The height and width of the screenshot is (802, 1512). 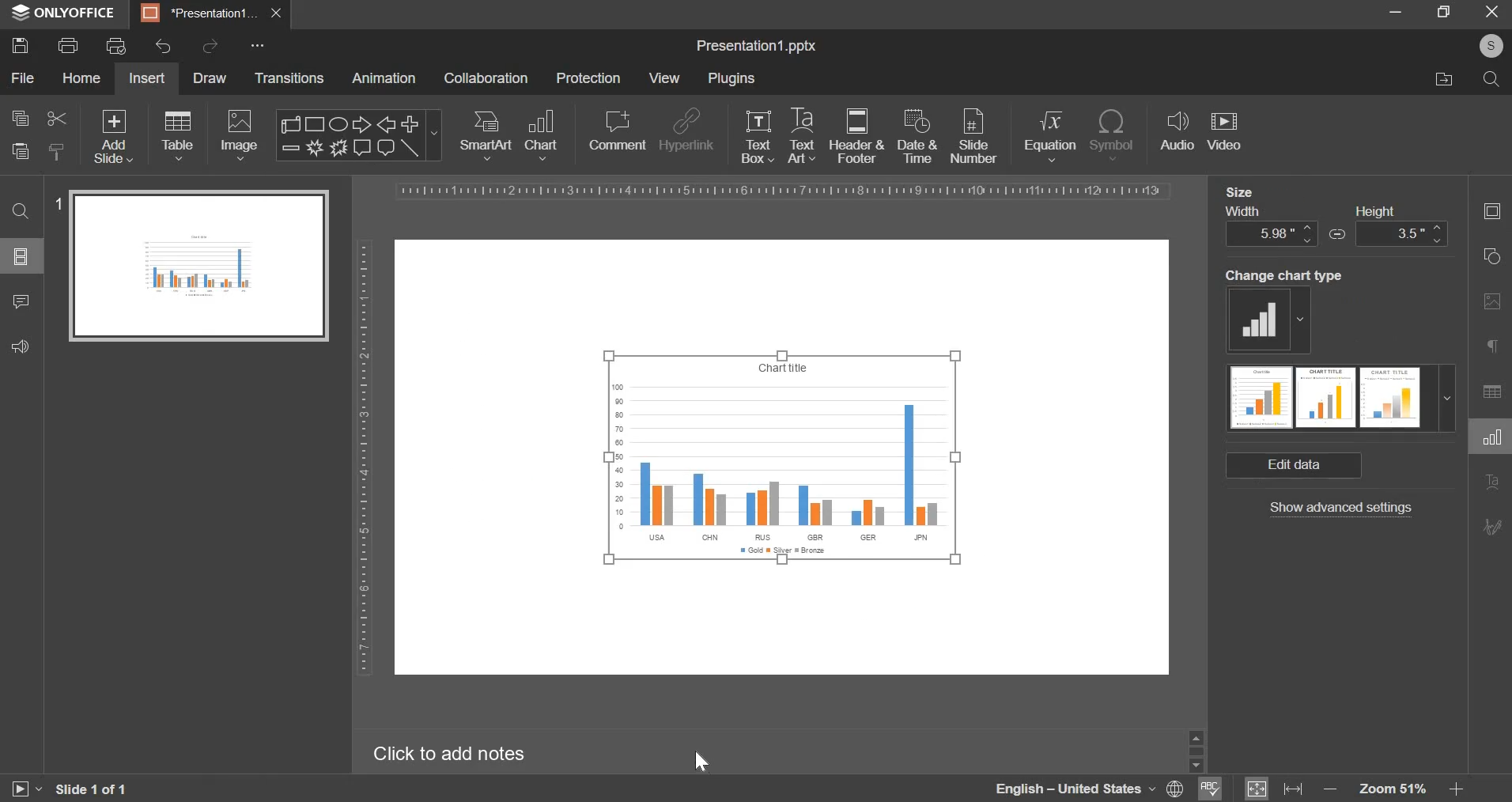 I want to click on minimize, so click(x=1396, y=9).